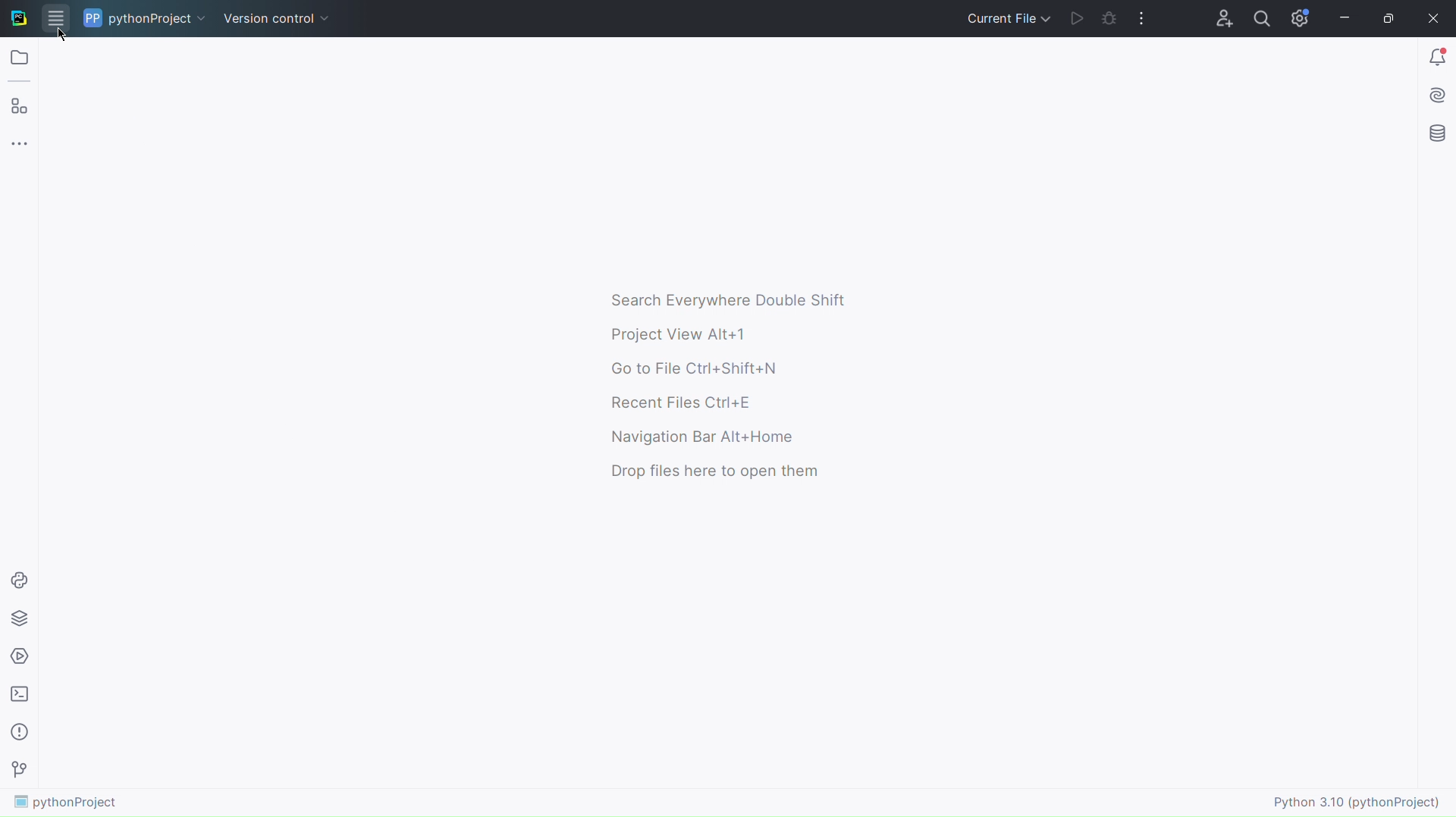 The height and width of the screenshot is (817, 1456). What do you see at coordinates (55, 19) in the screenshot?
I see `Application Menu` at bounding box center [55, 19].